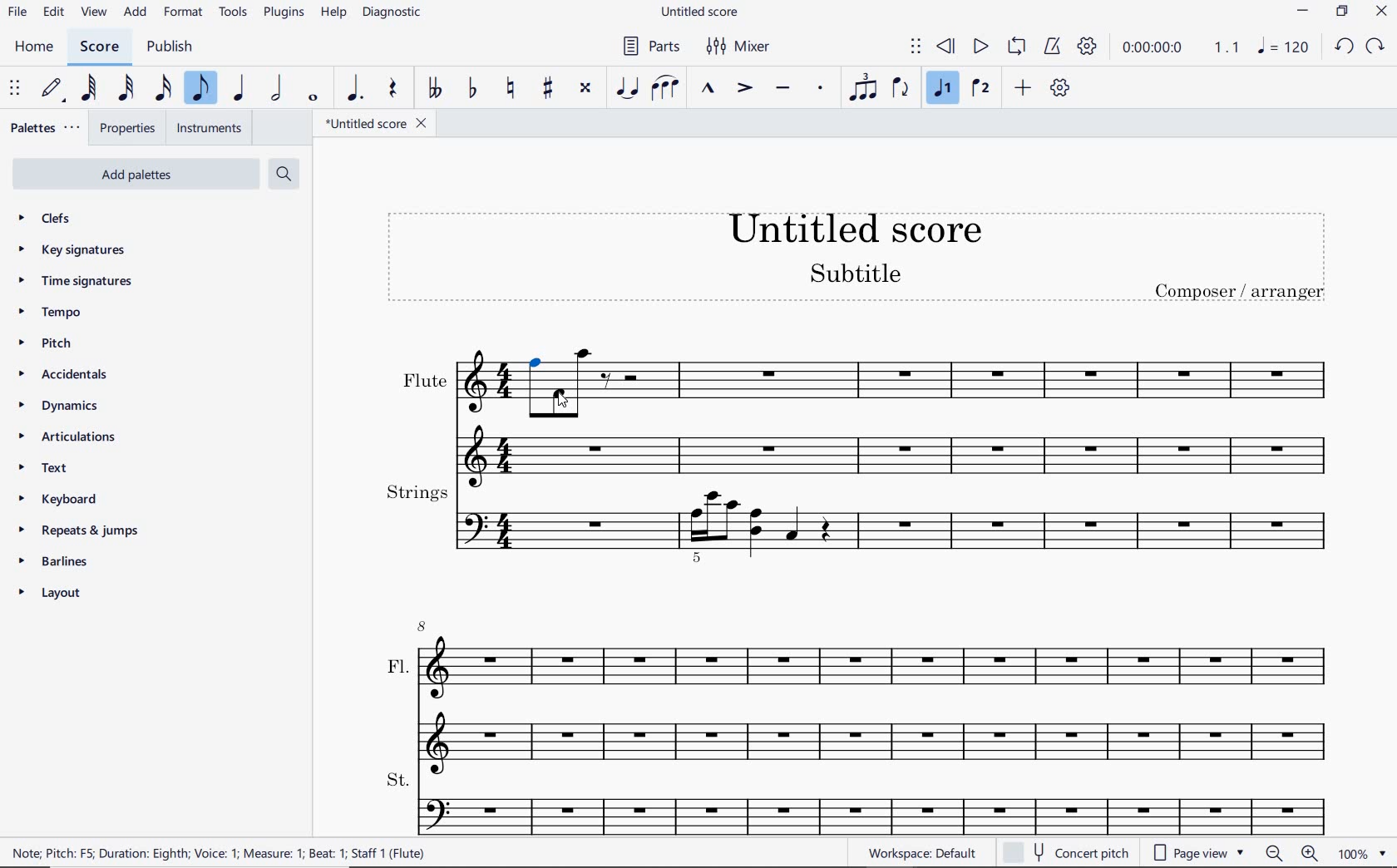 The image size is (1397, 868). Describe the element at coordinates (210, 128) in the screenshot. I see `INSTRUMENTS` at that location.